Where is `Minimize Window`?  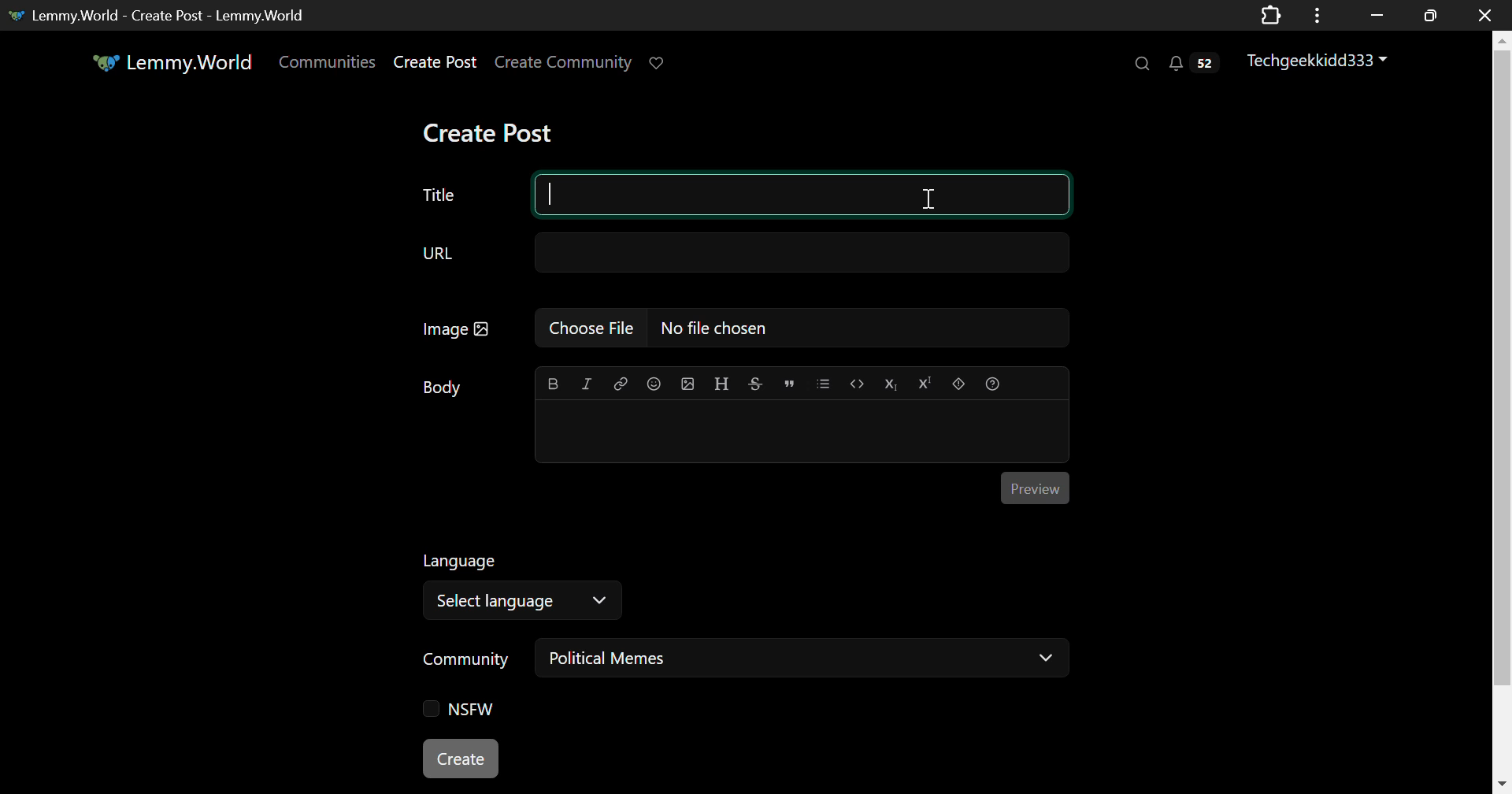 Minimize Window is located at coordinates (1428, 16).